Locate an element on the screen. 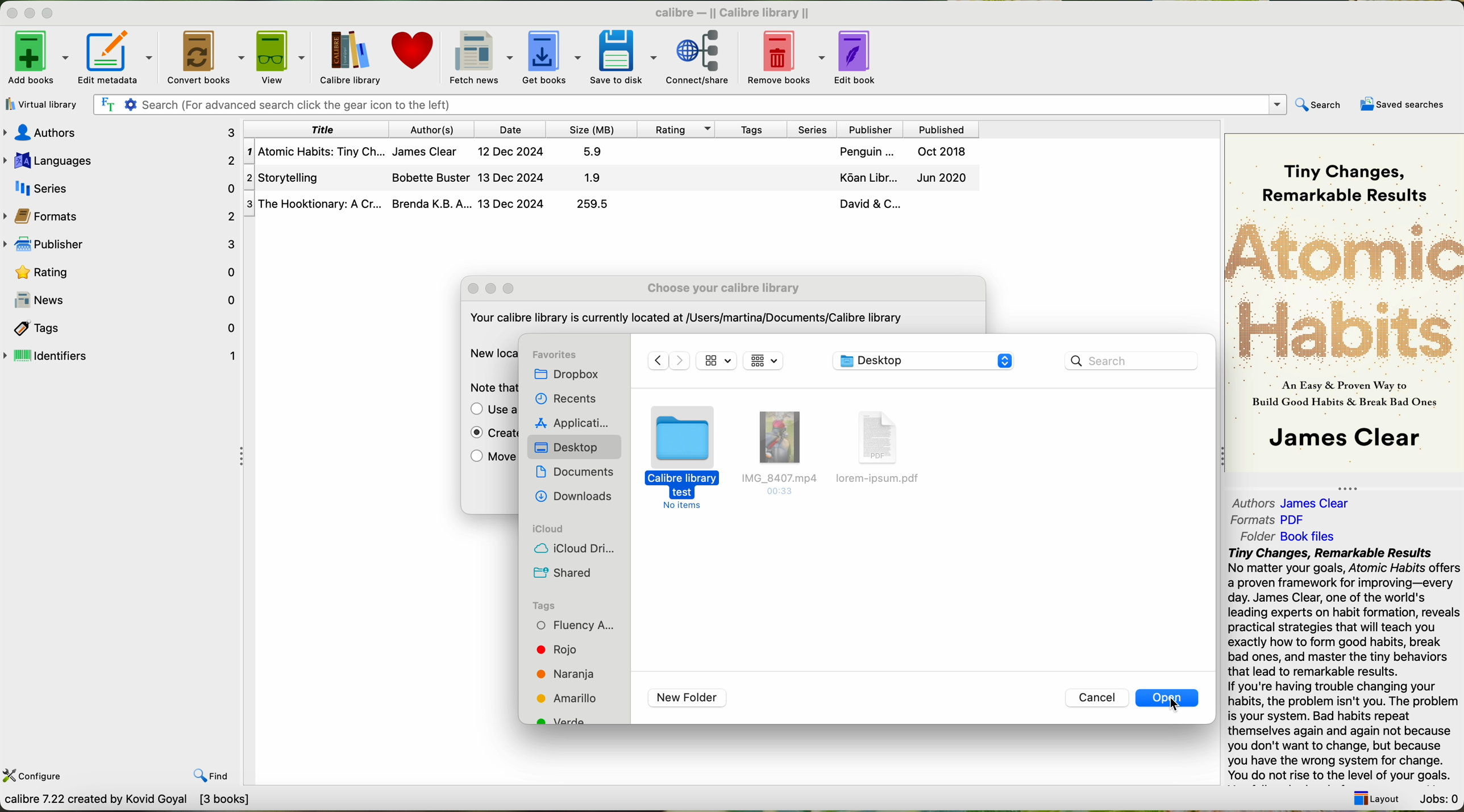  formats:PDF is located at coordinates (1272, 520).